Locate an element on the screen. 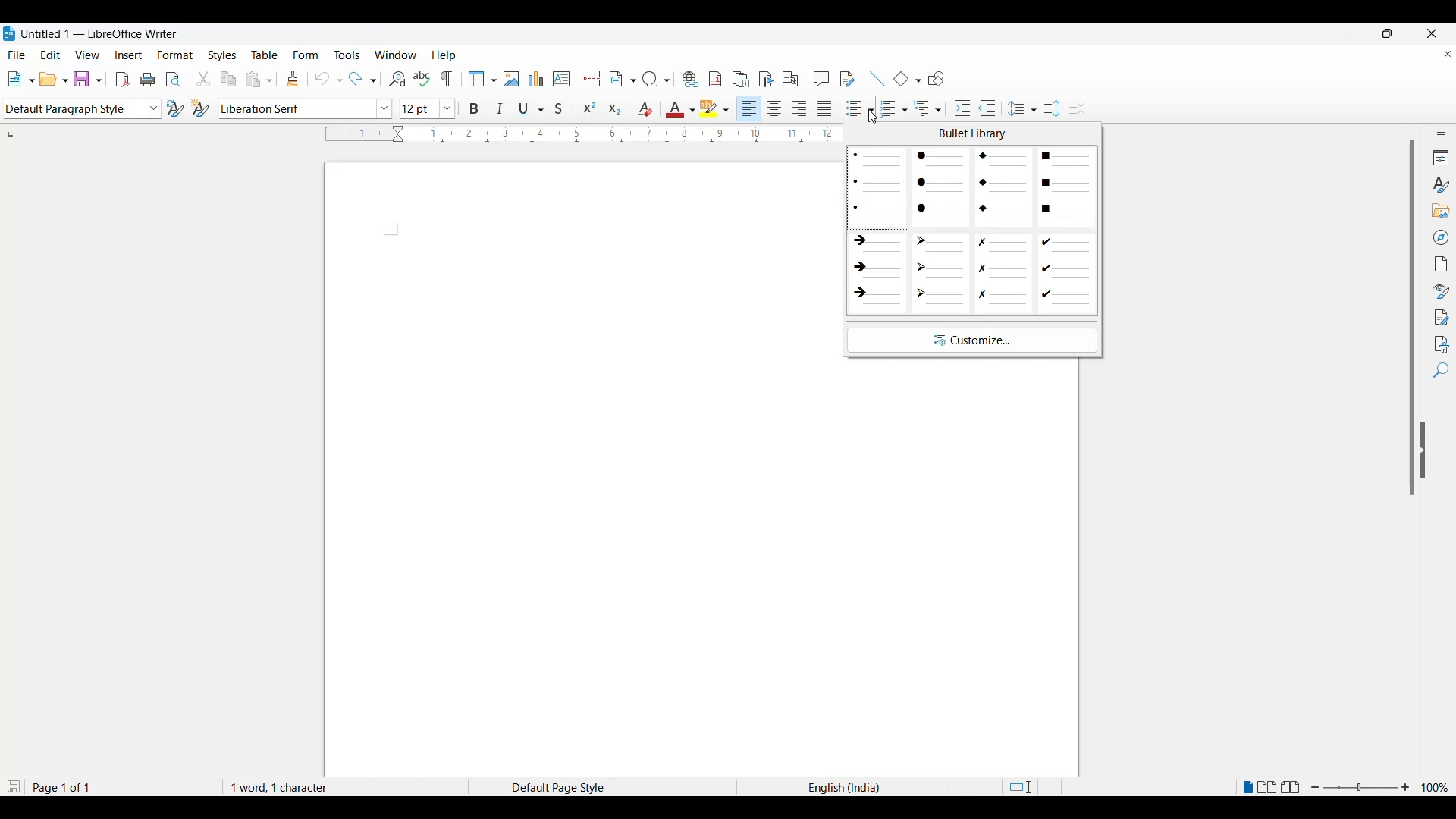 The height and width of the screenshot is (819, 1456). Decrease indent is located at coordinates (992, 105).